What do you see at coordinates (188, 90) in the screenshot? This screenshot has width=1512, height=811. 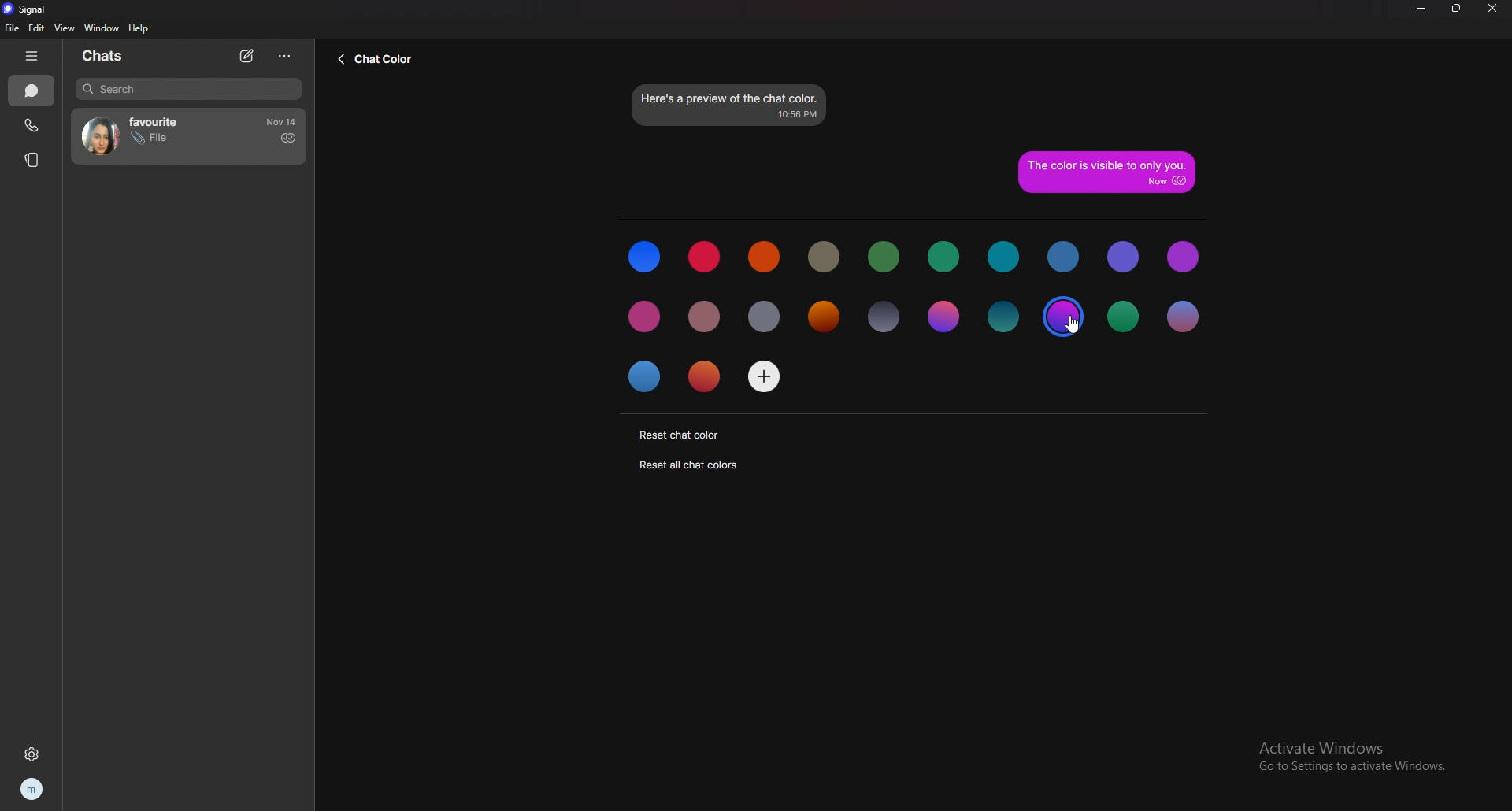 I see `search` at bounding box center [188, 90].